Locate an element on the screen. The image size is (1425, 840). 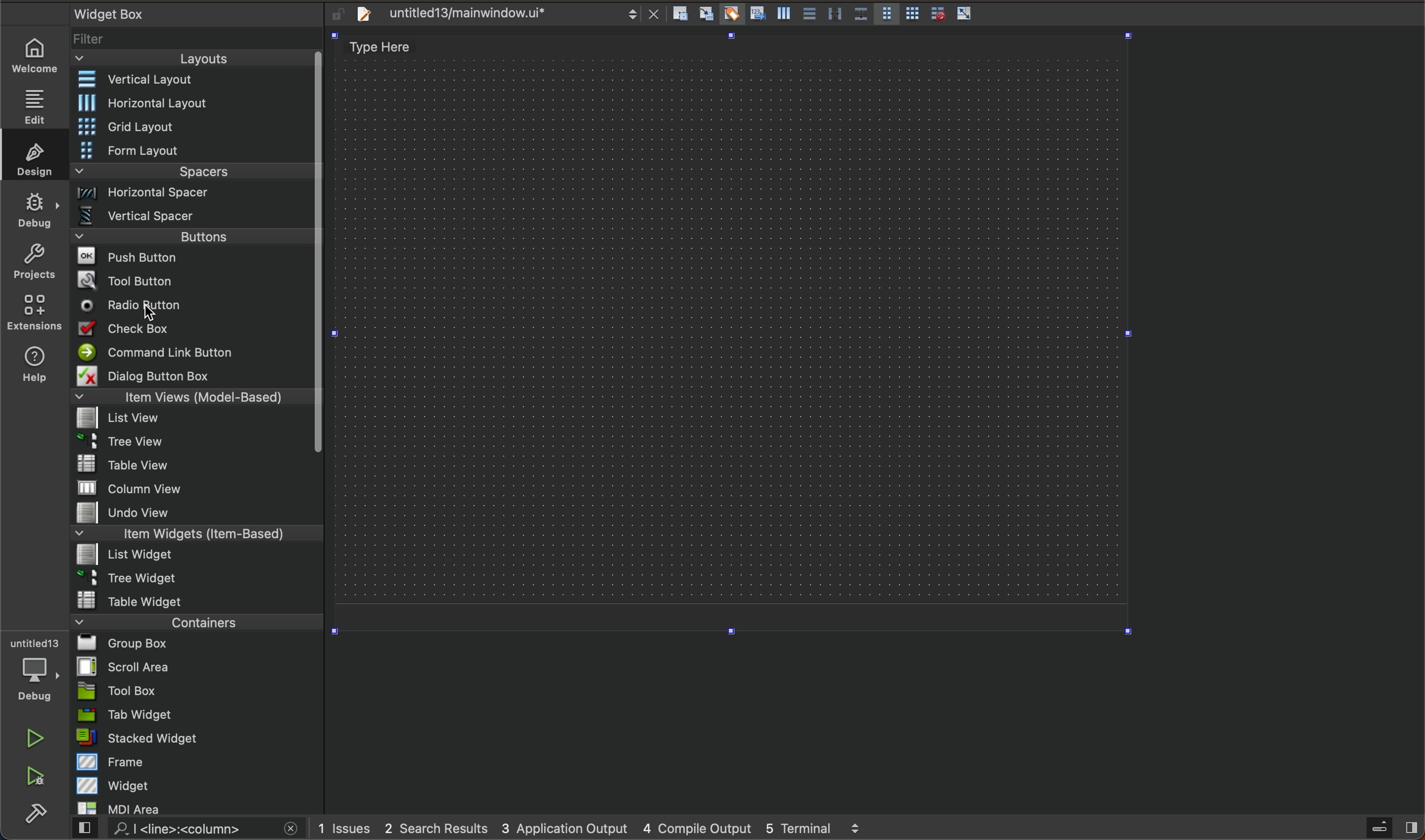
radio is located at coordinates (192, 306).